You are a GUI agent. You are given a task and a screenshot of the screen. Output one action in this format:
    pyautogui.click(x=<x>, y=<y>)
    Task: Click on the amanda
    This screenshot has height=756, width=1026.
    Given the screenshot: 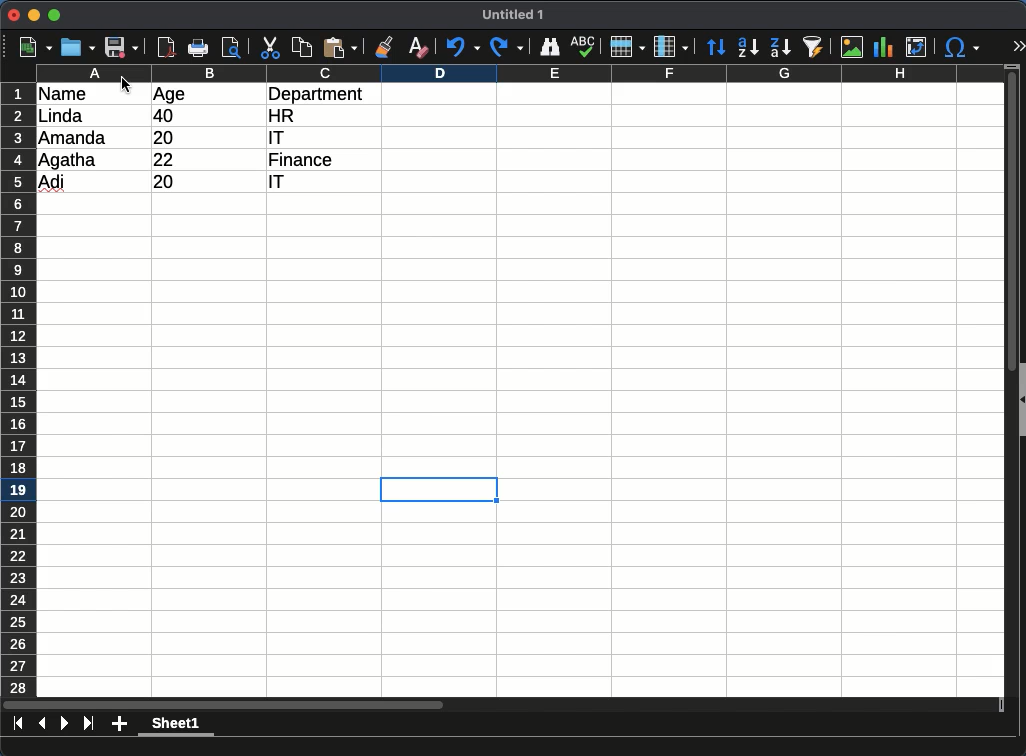 What is the action you would take?
    pyautogui.click(x=74, y=137)
    